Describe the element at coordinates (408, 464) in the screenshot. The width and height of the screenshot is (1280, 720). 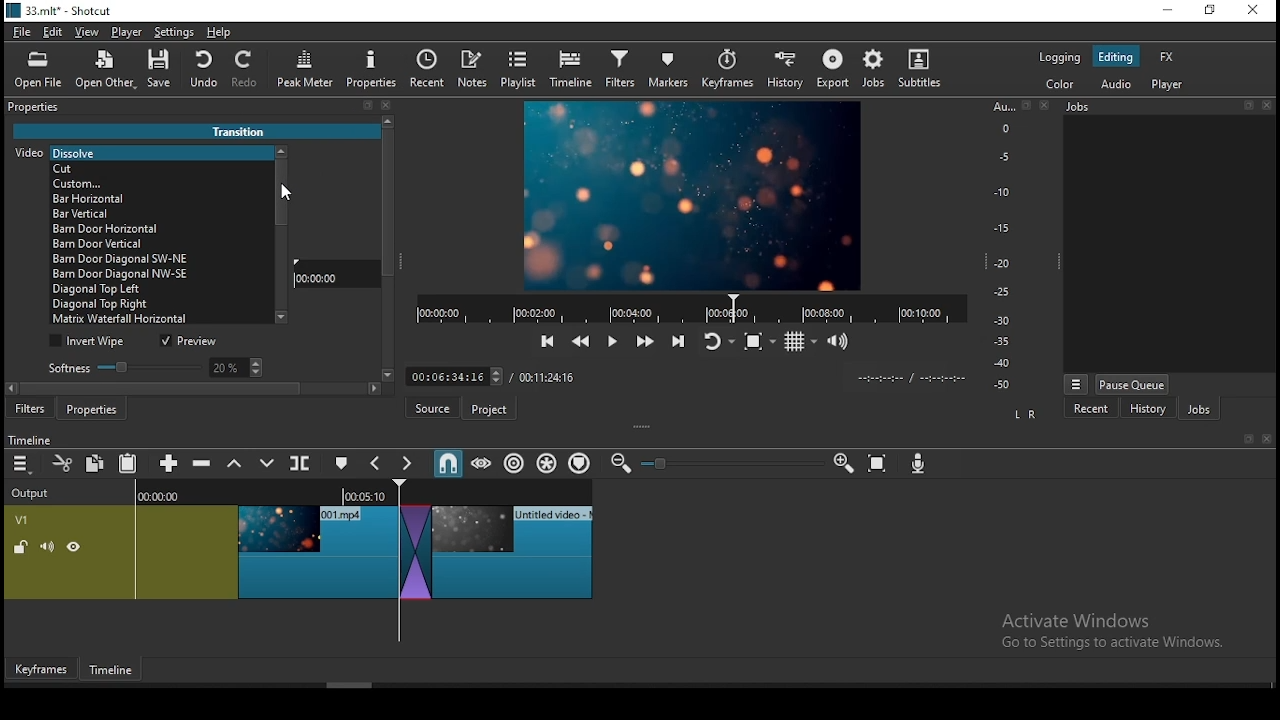
I see `next marker` at that location.